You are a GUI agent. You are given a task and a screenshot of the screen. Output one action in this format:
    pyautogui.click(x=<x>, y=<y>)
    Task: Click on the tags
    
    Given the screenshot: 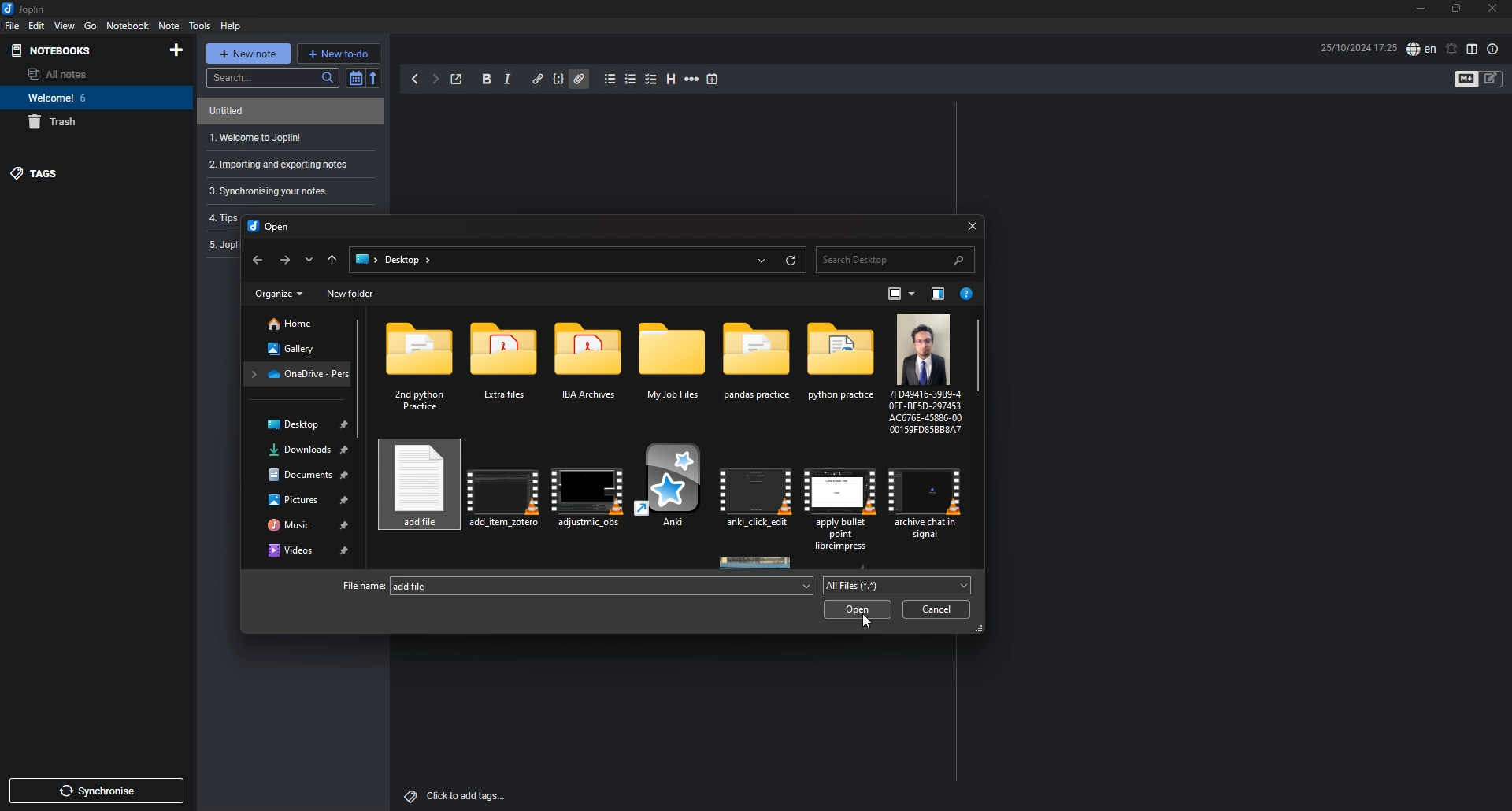 What is the action you would take?
    pyautogui.click(x=85, y=174)
    